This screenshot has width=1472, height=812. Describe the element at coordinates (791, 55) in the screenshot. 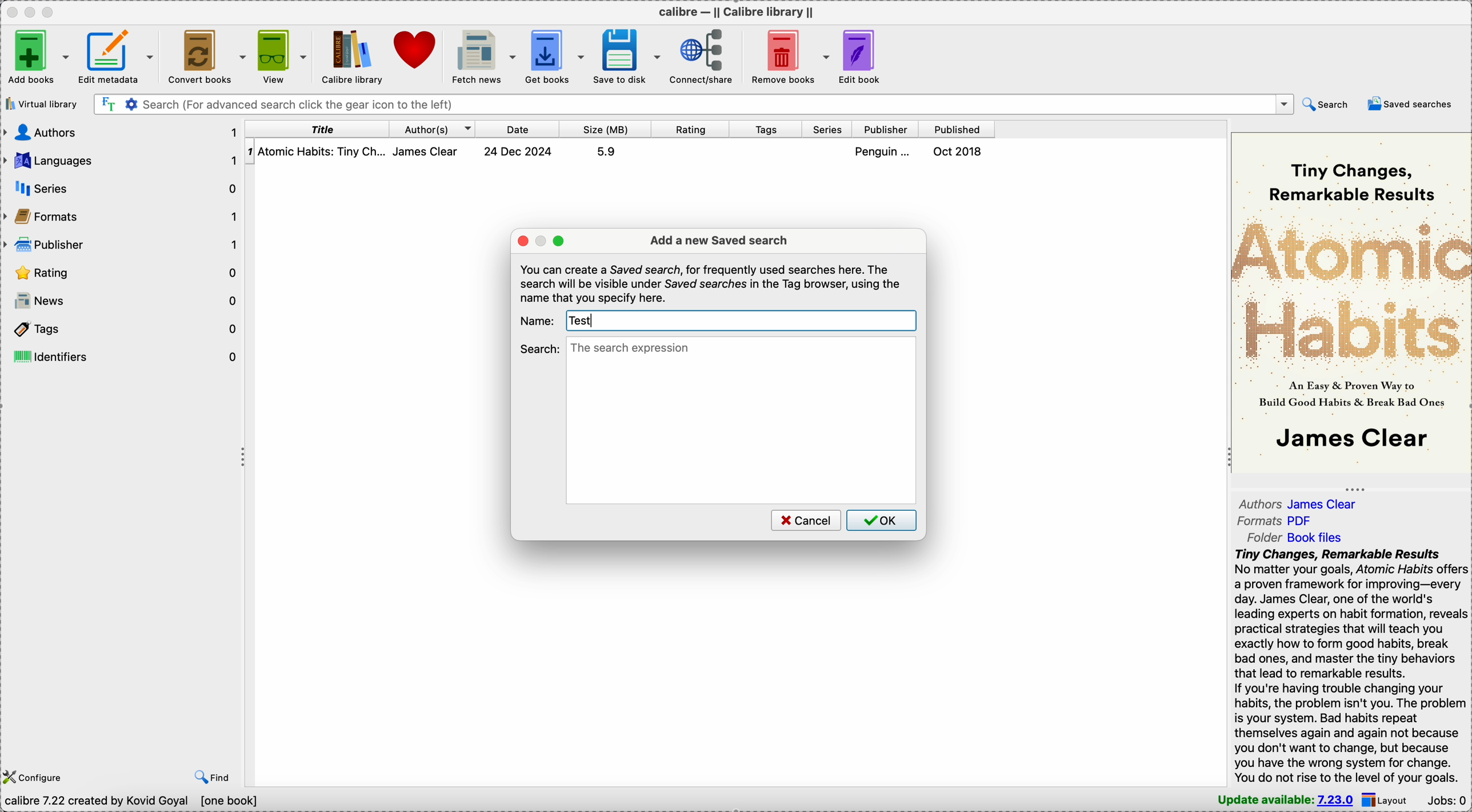

I see `remove books` at that location.